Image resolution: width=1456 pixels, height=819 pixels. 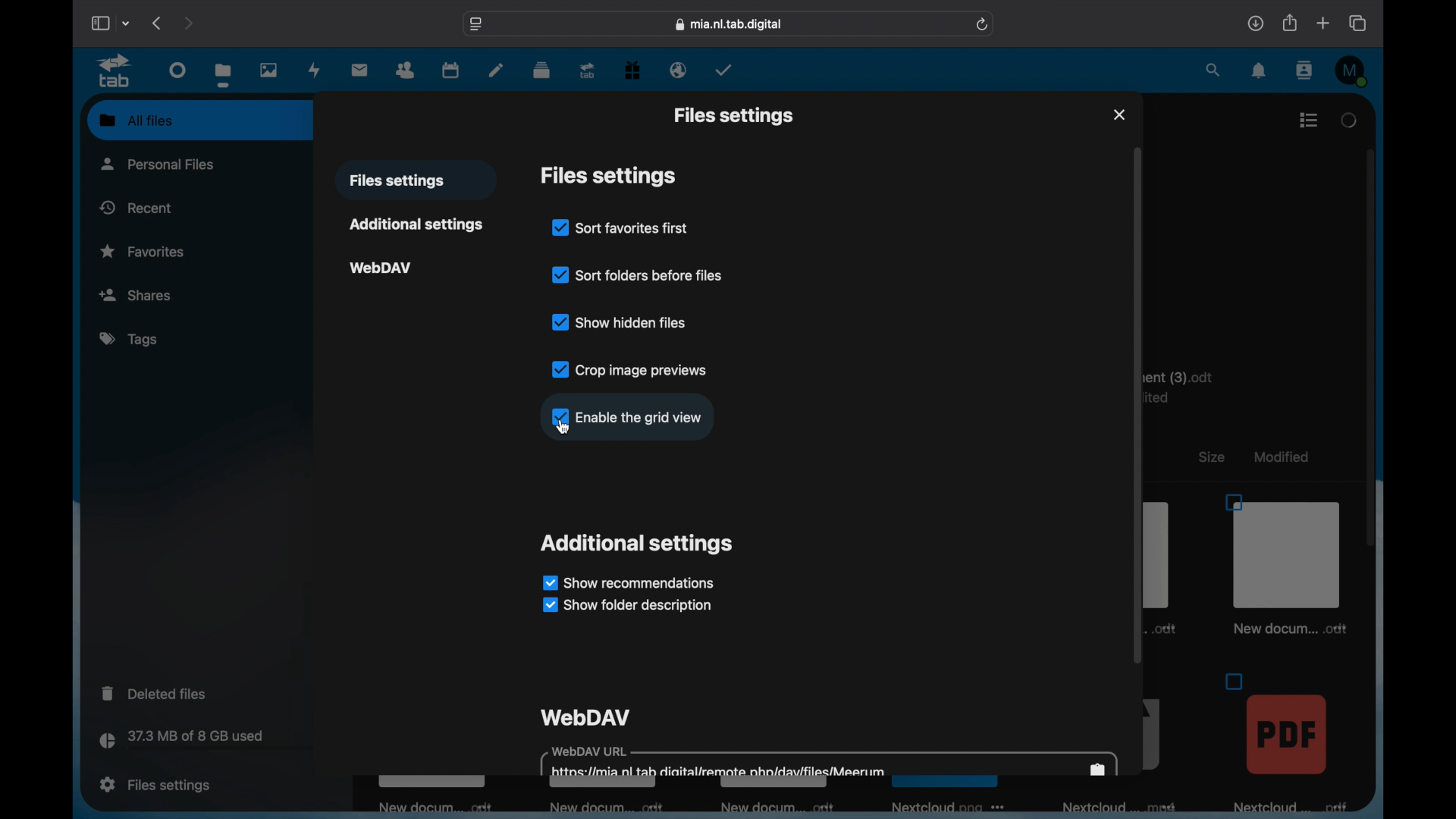 I want to click on show sidebar, so click(x=99, y=23).